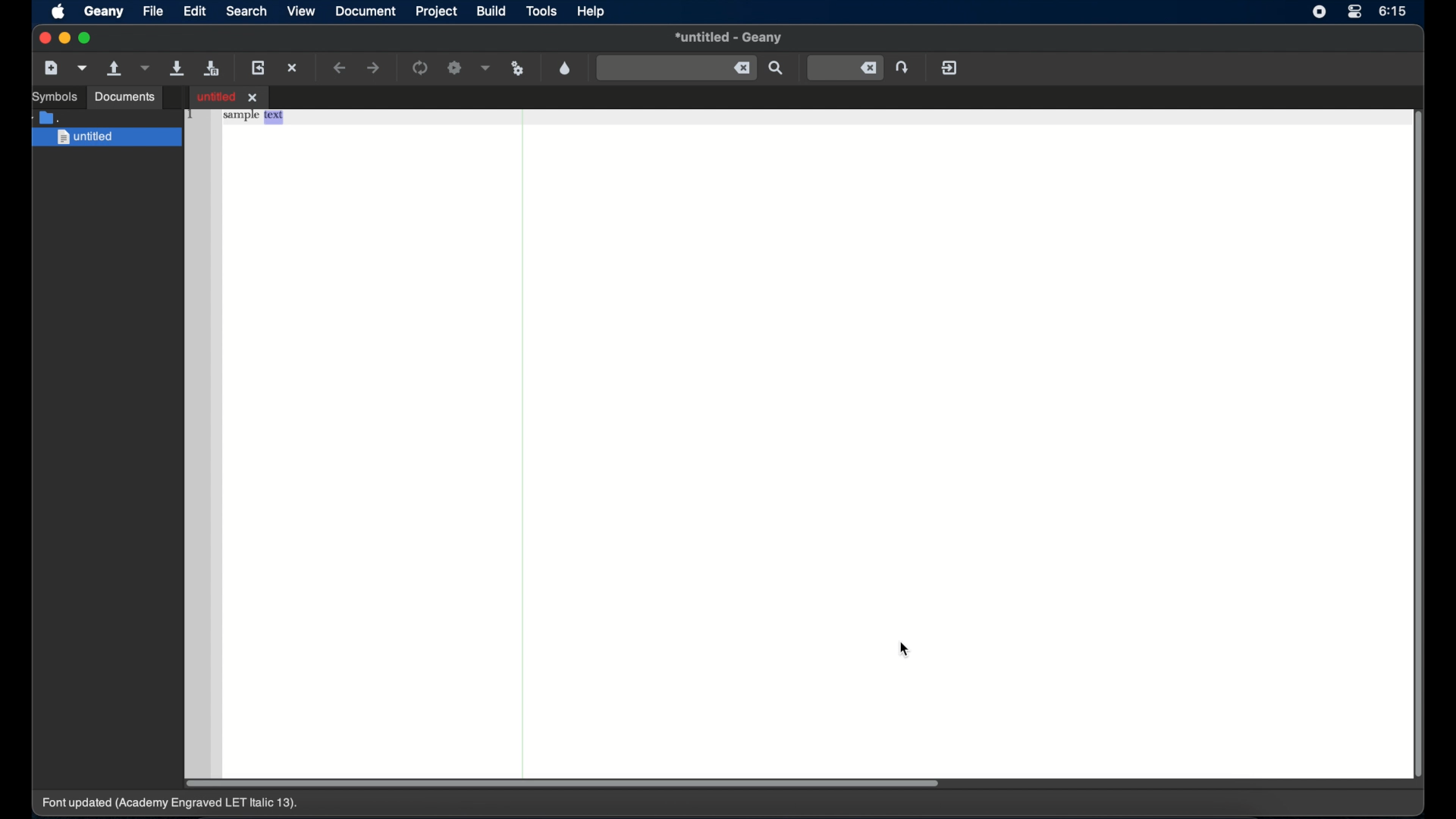  Describe the element at coordinates (435, 11) in the screenshot. I see `project` at that location.